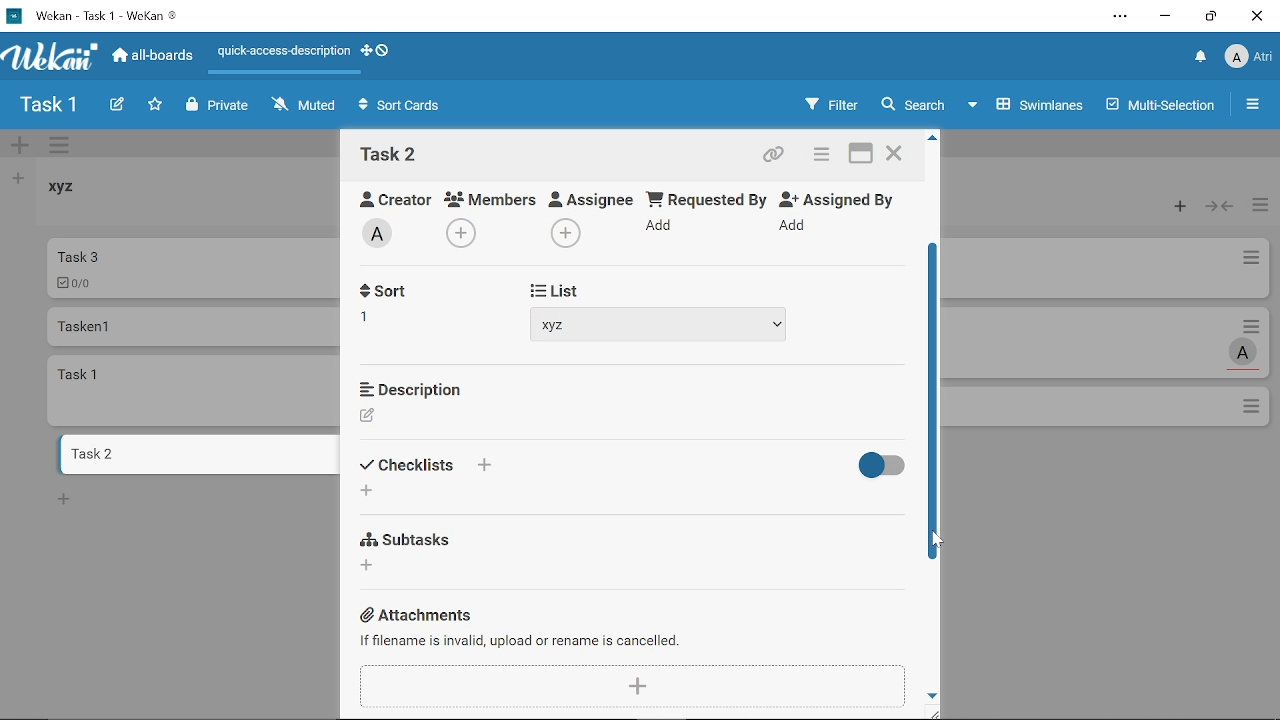 The width and height of the screenshot is (1280, 720). I want to click on Multilanes, so click(1163, 107).